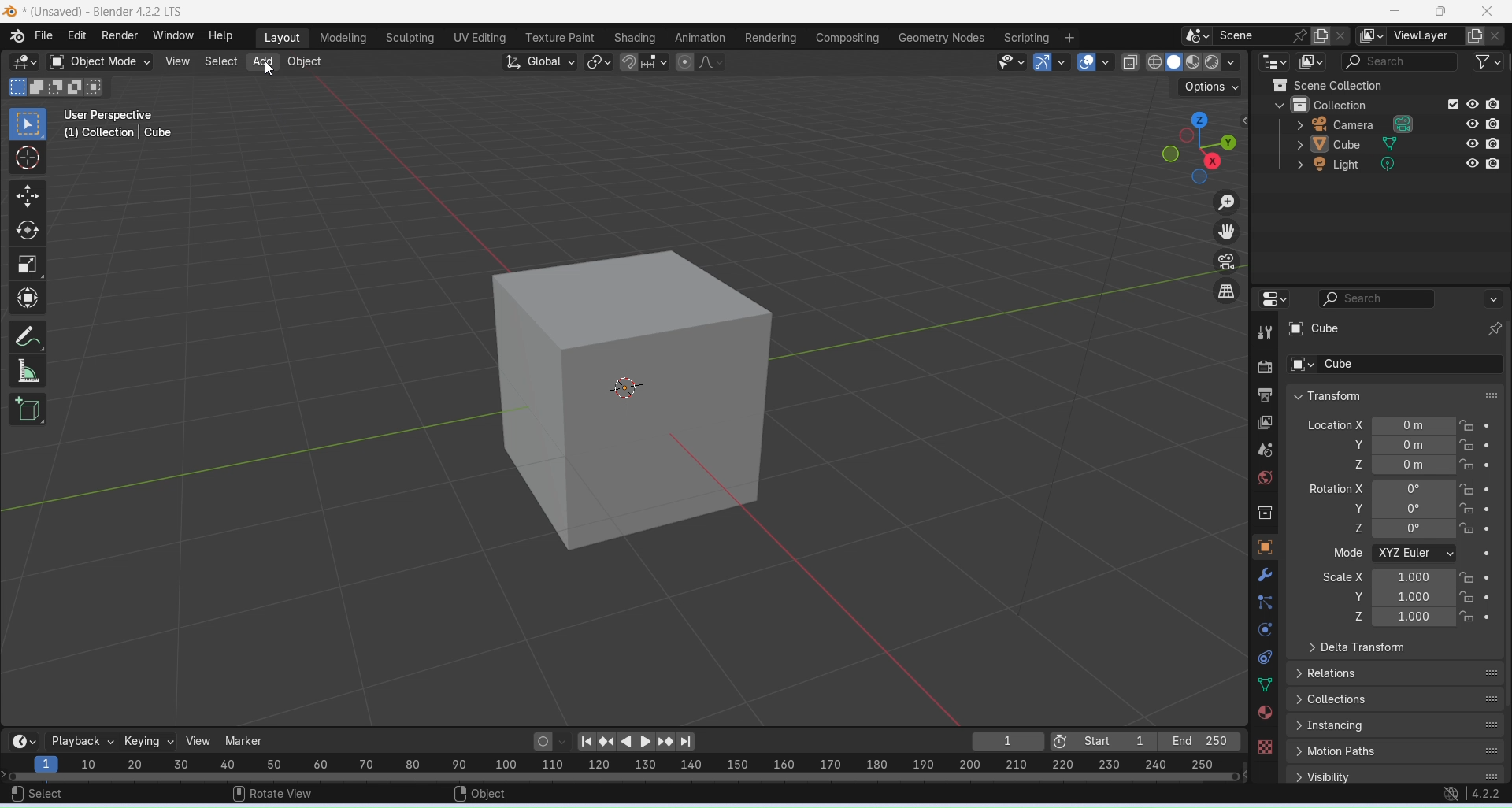 The width and height of the screenshot is (1512, 808). I want to click on Move, so click(27, 197).